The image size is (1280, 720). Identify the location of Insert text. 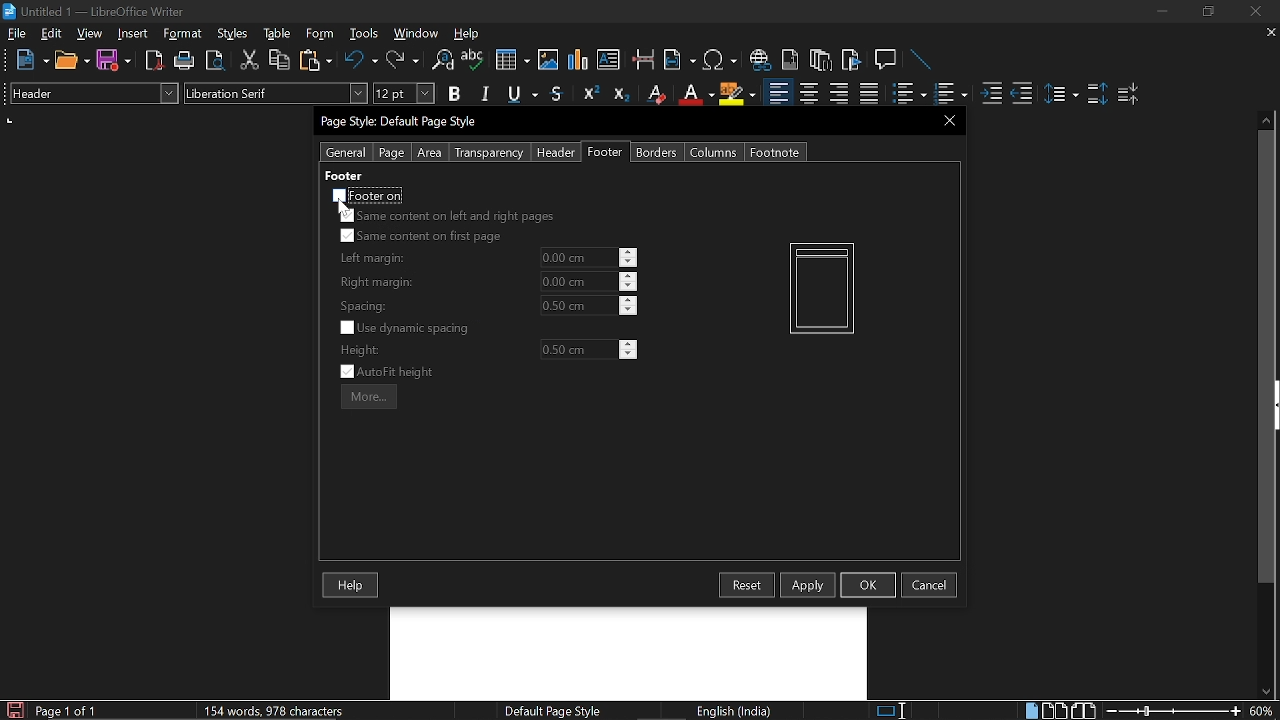
(608, 59).